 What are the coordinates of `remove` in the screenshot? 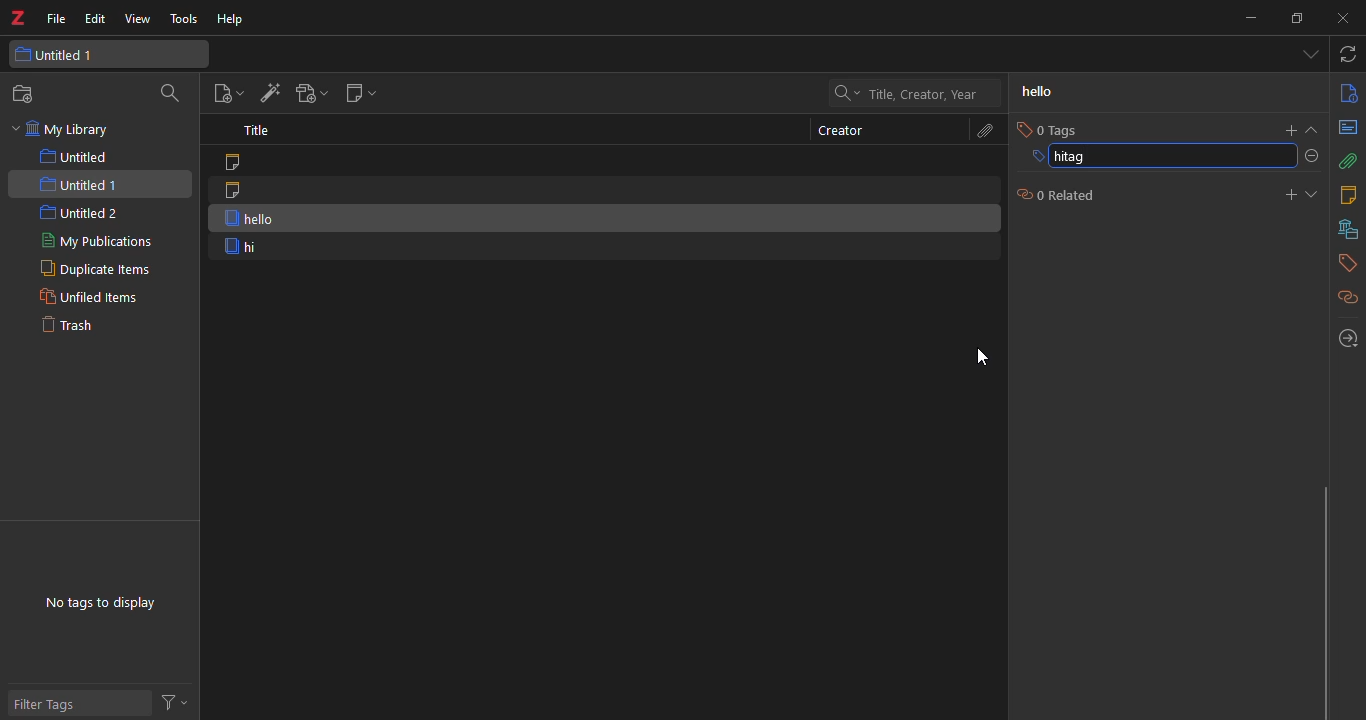 It's located at (1315, 157).